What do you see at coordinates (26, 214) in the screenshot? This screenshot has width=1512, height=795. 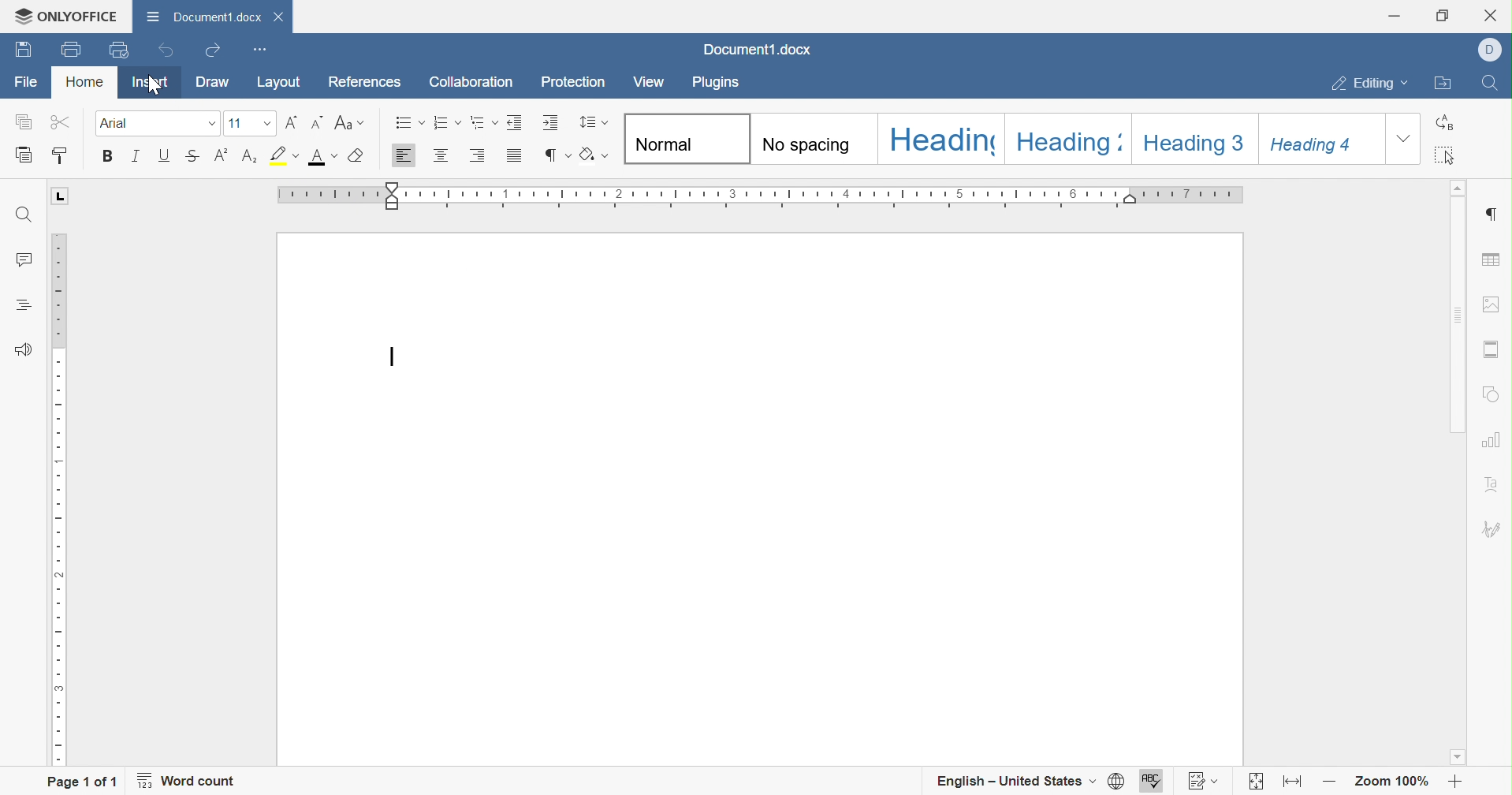 I see `Find` at bounding box center [26, 214].